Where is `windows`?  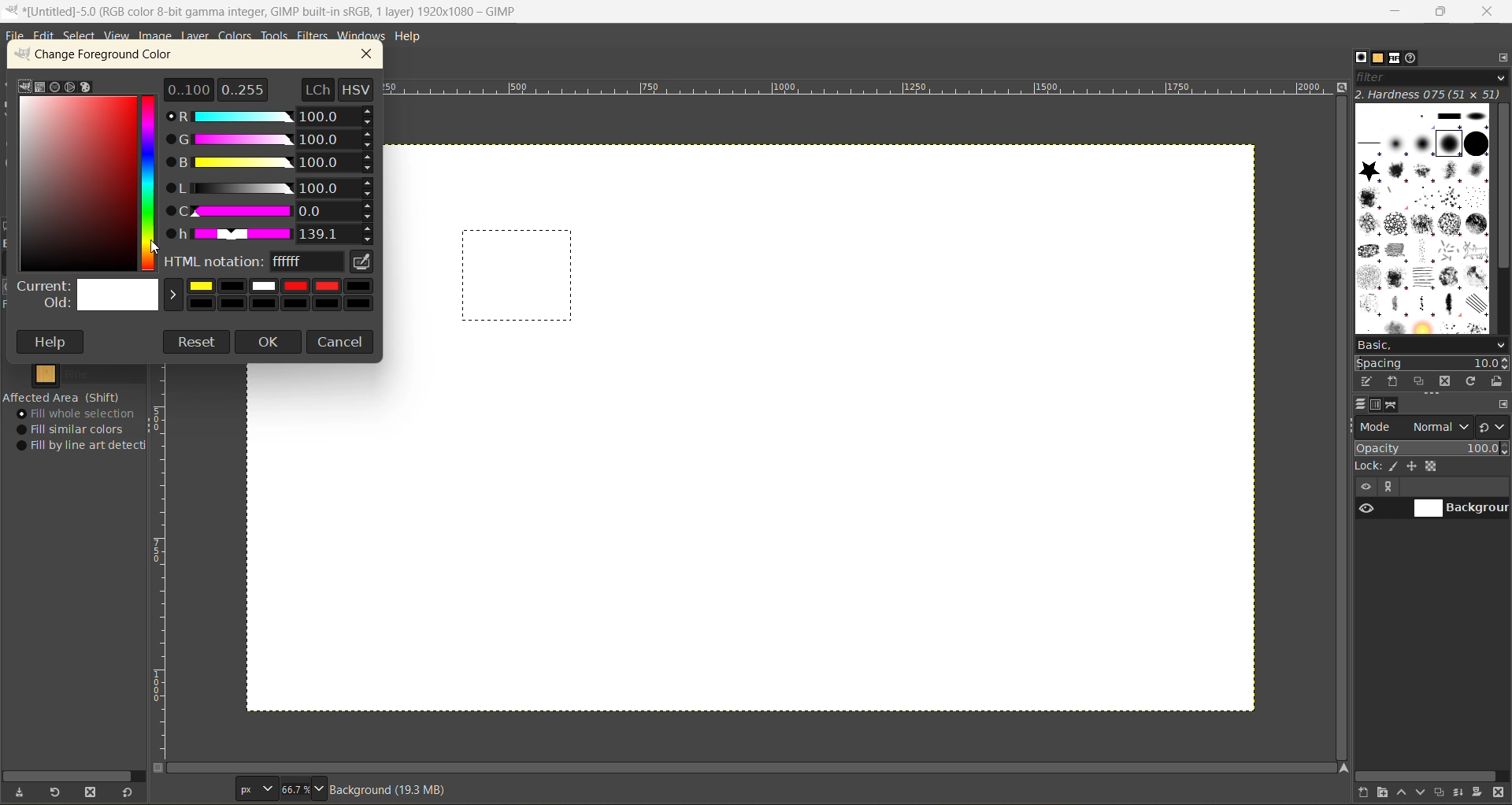
windows is located at coordinates (363, 36).